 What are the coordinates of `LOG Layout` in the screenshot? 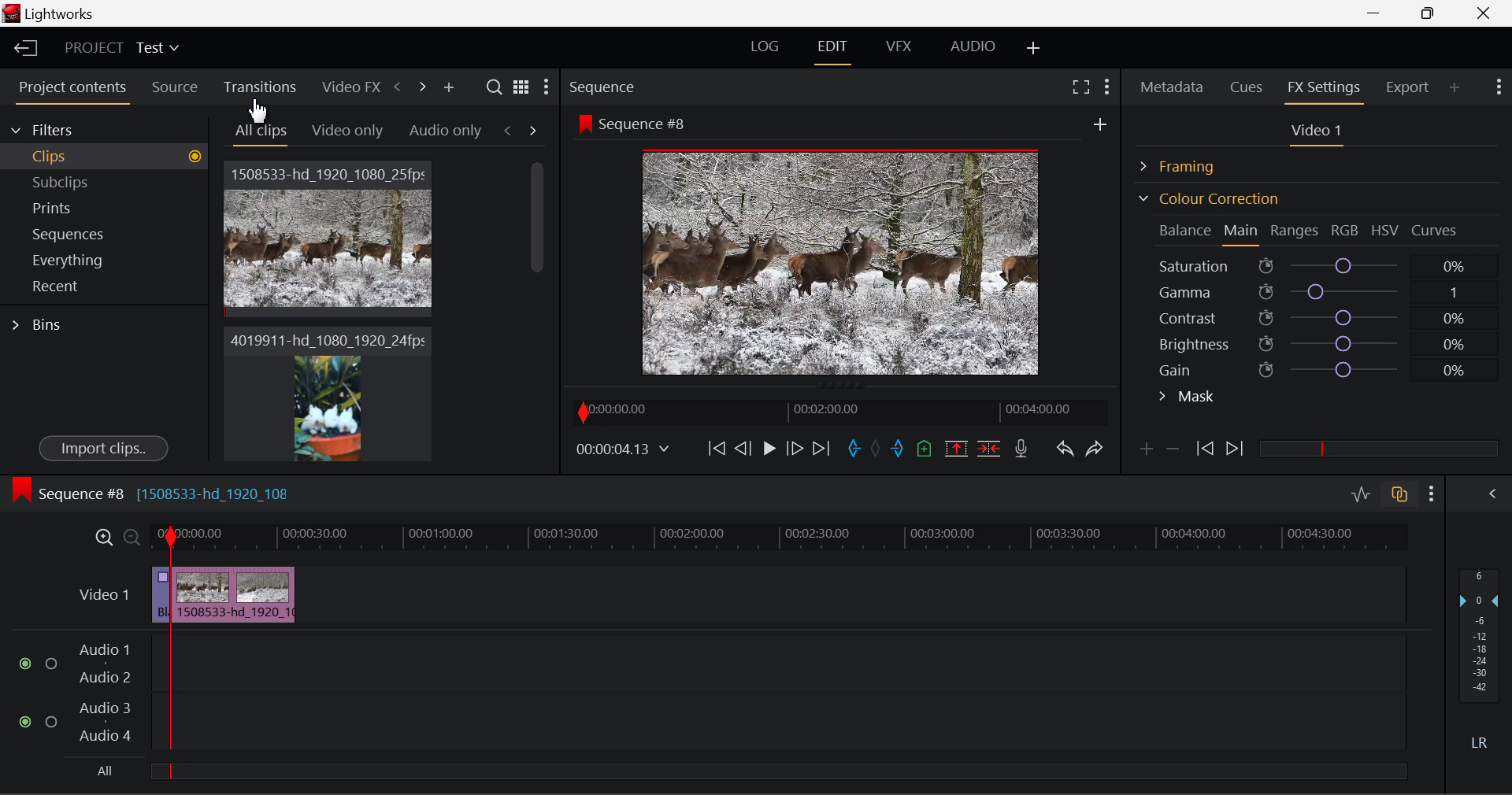 It's located at (764, 46).